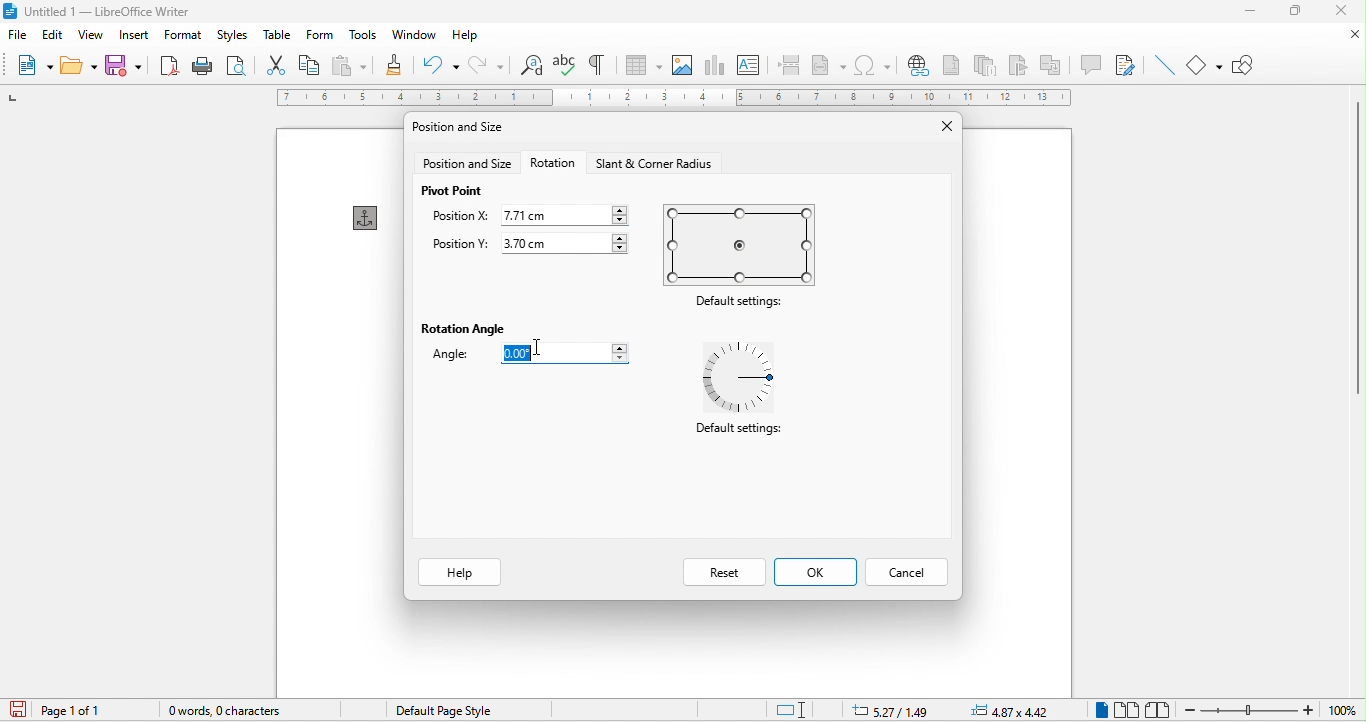 The image size is (1366, 722). Describe the element at coordinates (361, 216) in the screenshot. I see `anchor` at that location.